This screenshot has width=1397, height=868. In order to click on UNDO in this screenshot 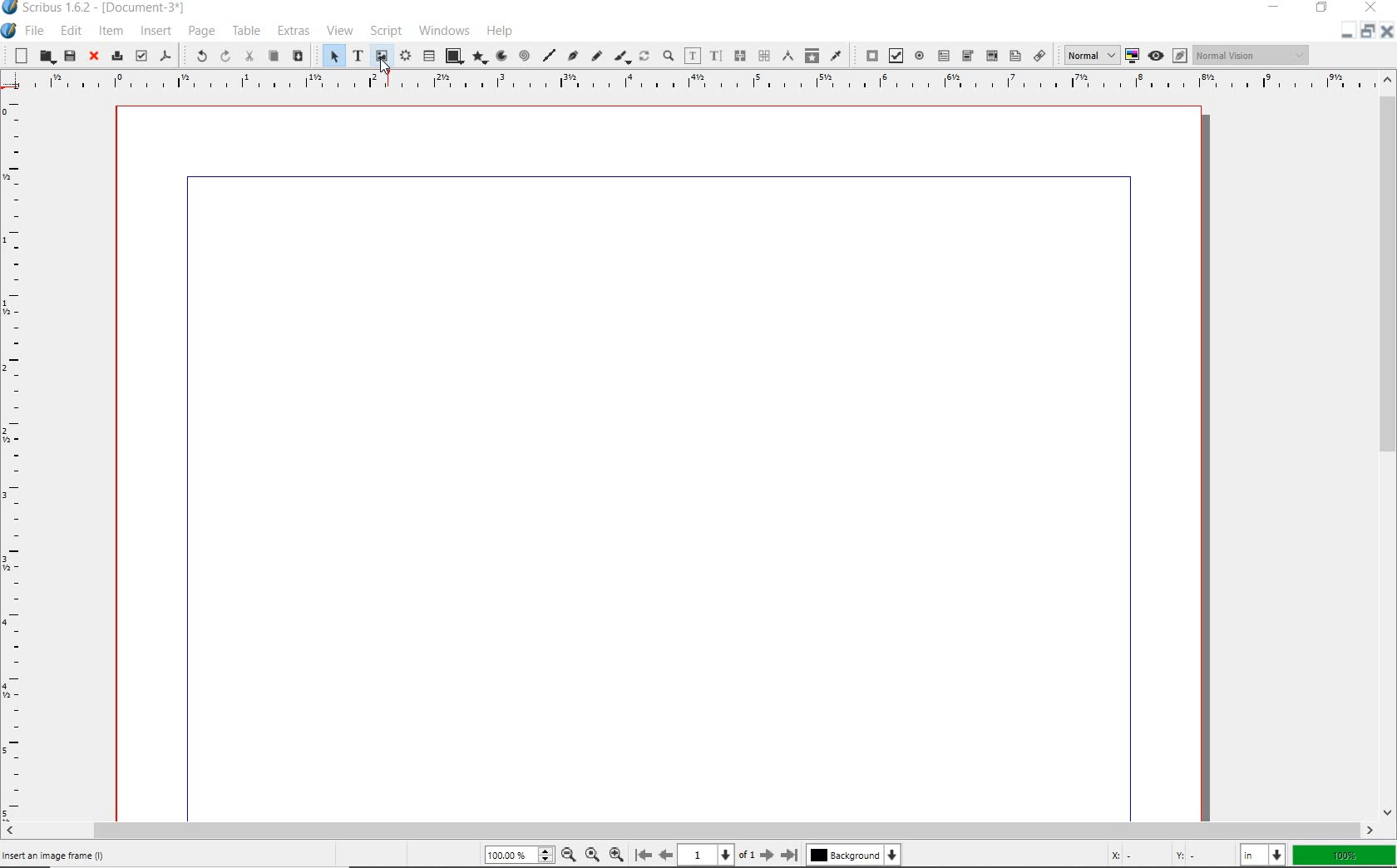, I will do `click(199, 55)`.